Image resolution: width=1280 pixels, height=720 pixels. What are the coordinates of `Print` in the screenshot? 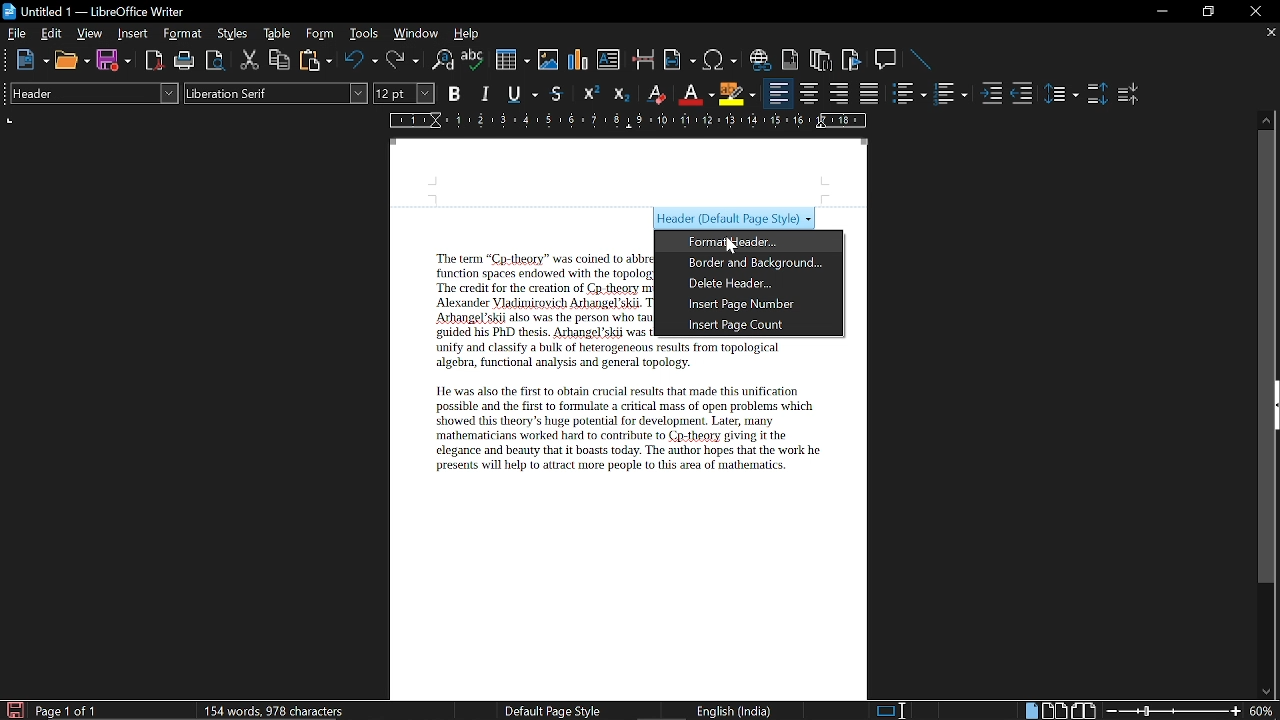 It's located at (185, 61).